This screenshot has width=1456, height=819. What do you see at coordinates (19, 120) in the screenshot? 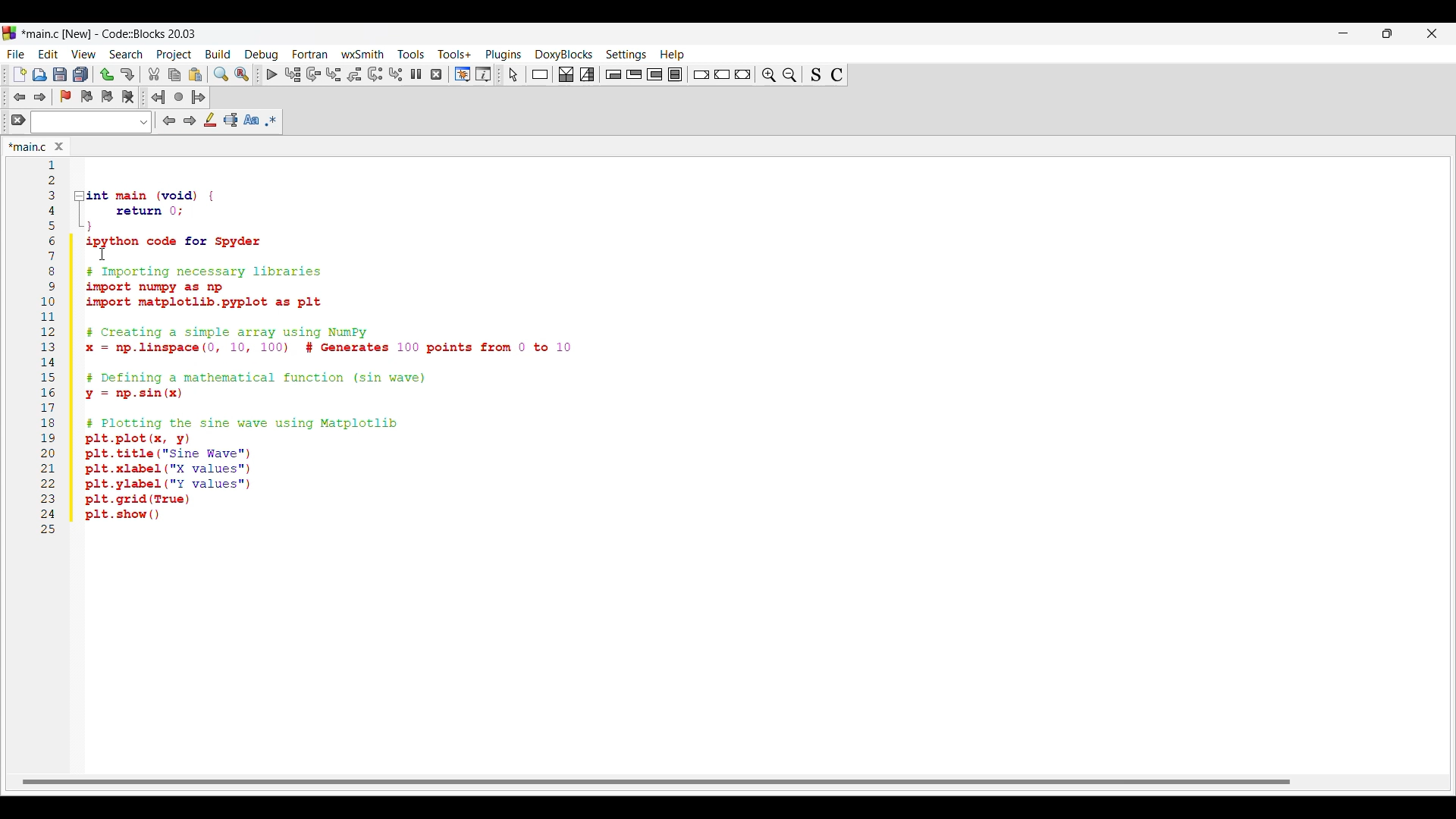
I see `Clear` at bounding box center [19, 120].